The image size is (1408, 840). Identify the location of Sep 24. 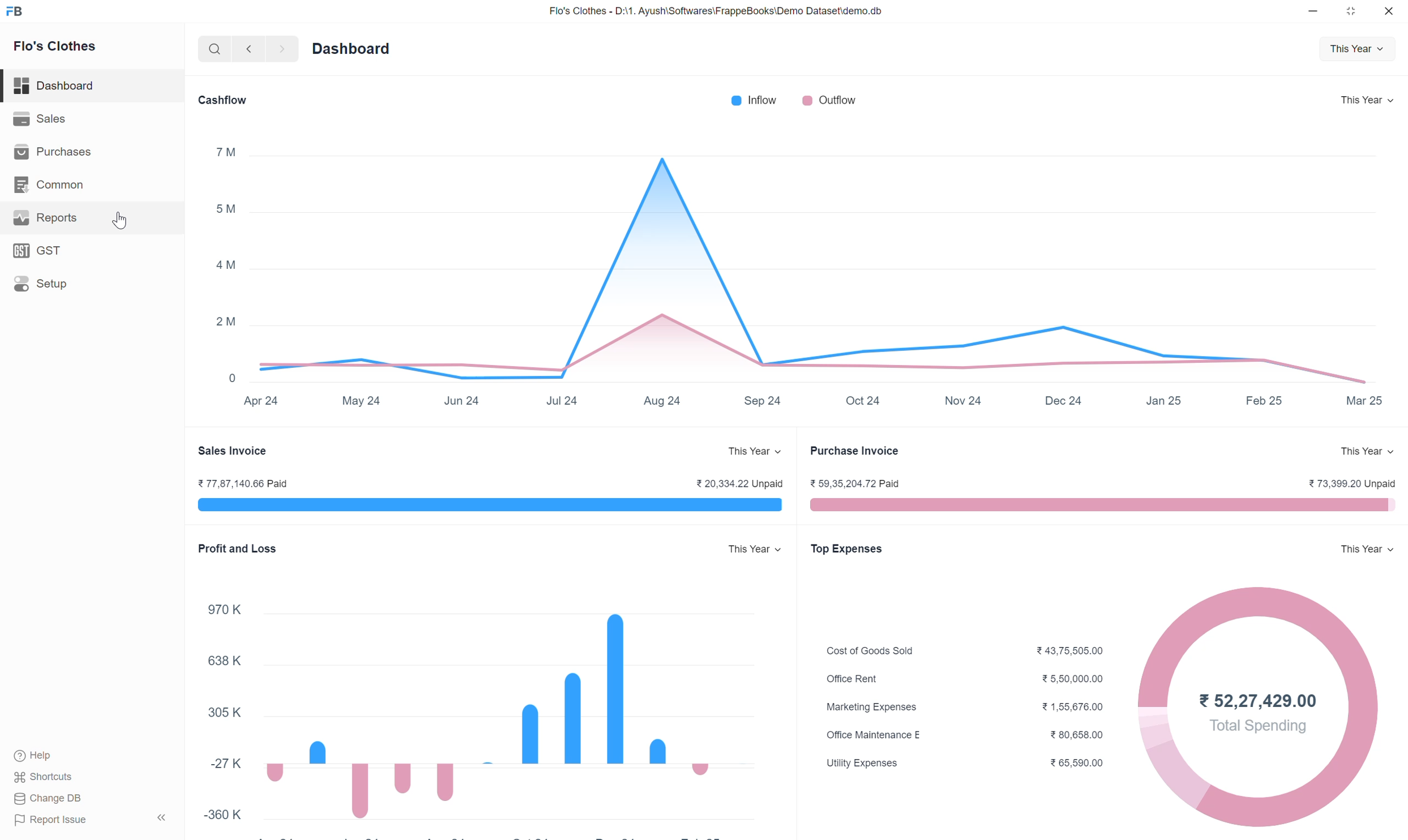
(763, 404).